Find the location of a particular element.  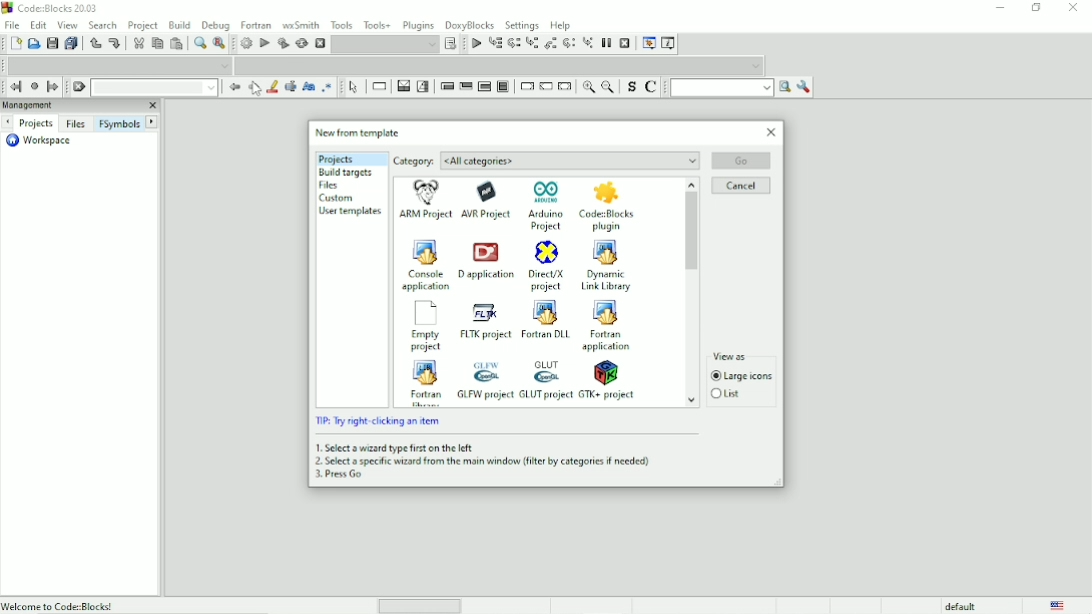

GTK + project is located at coordinates (610, 381).